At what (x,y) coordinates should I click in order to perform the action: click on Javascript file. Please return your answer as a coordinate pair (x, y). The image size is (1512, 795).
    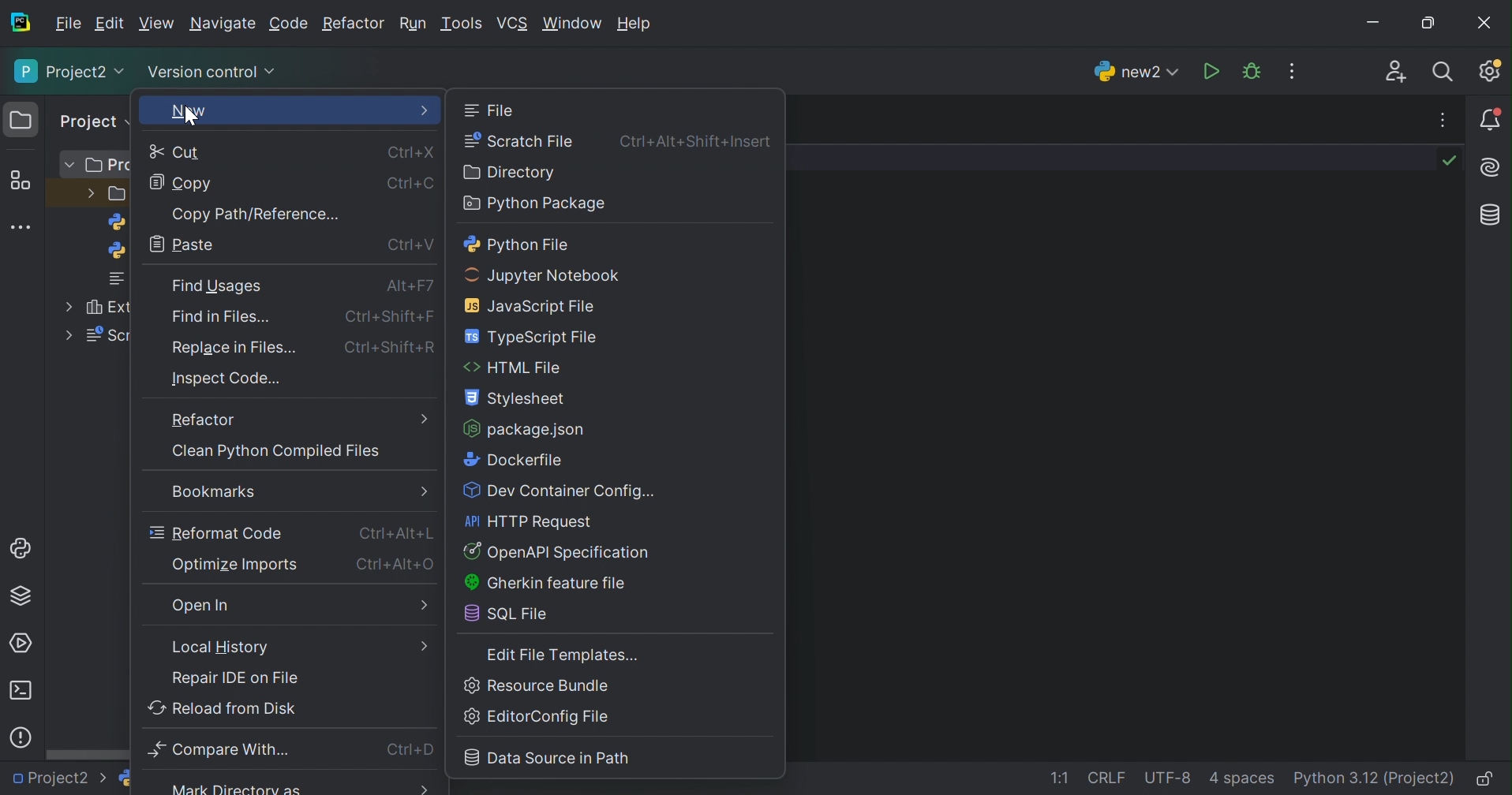
    Looking at the image, I should click on (526, 307).